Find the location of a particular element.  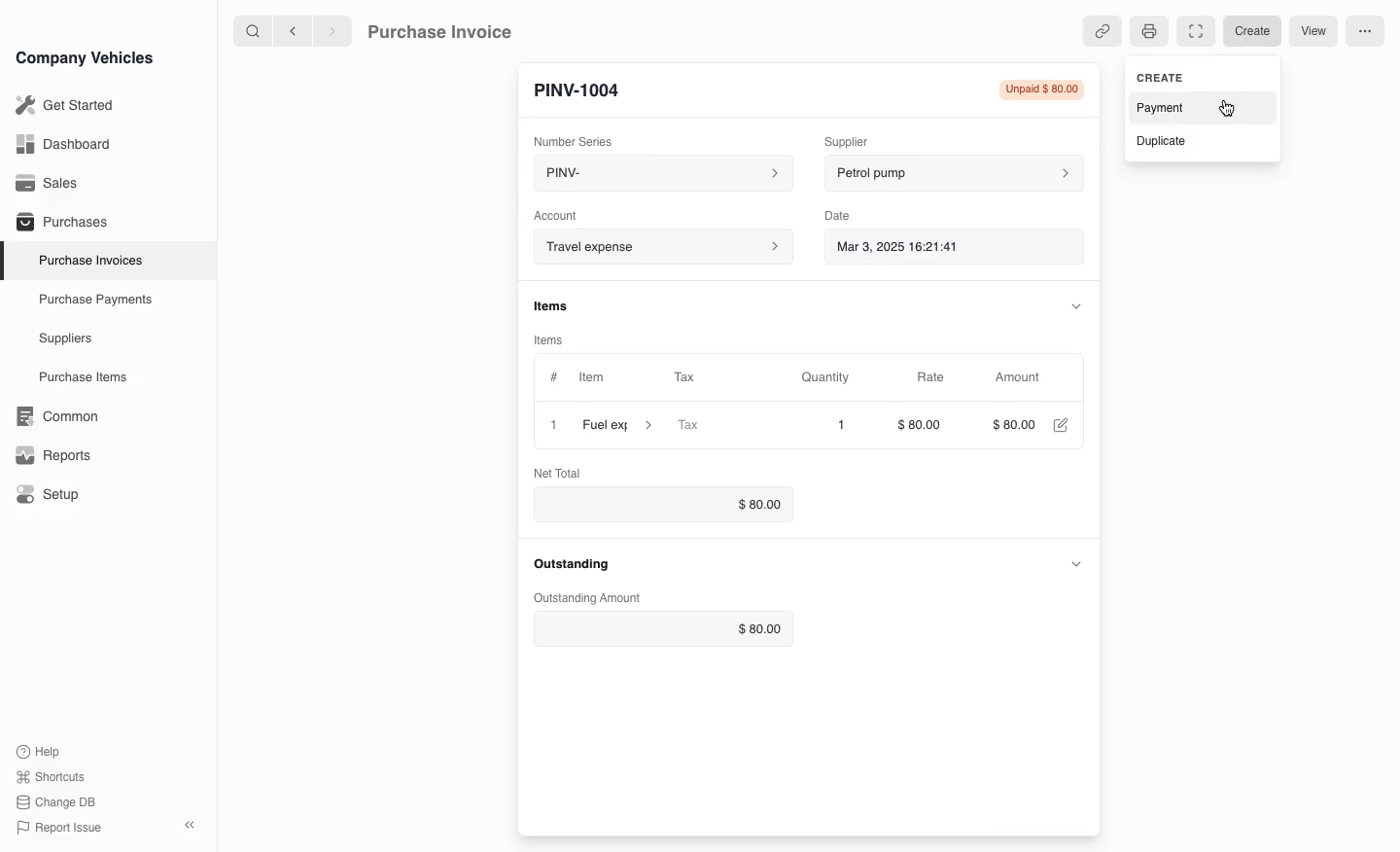

Net Total is located at coordinates (561, 472).